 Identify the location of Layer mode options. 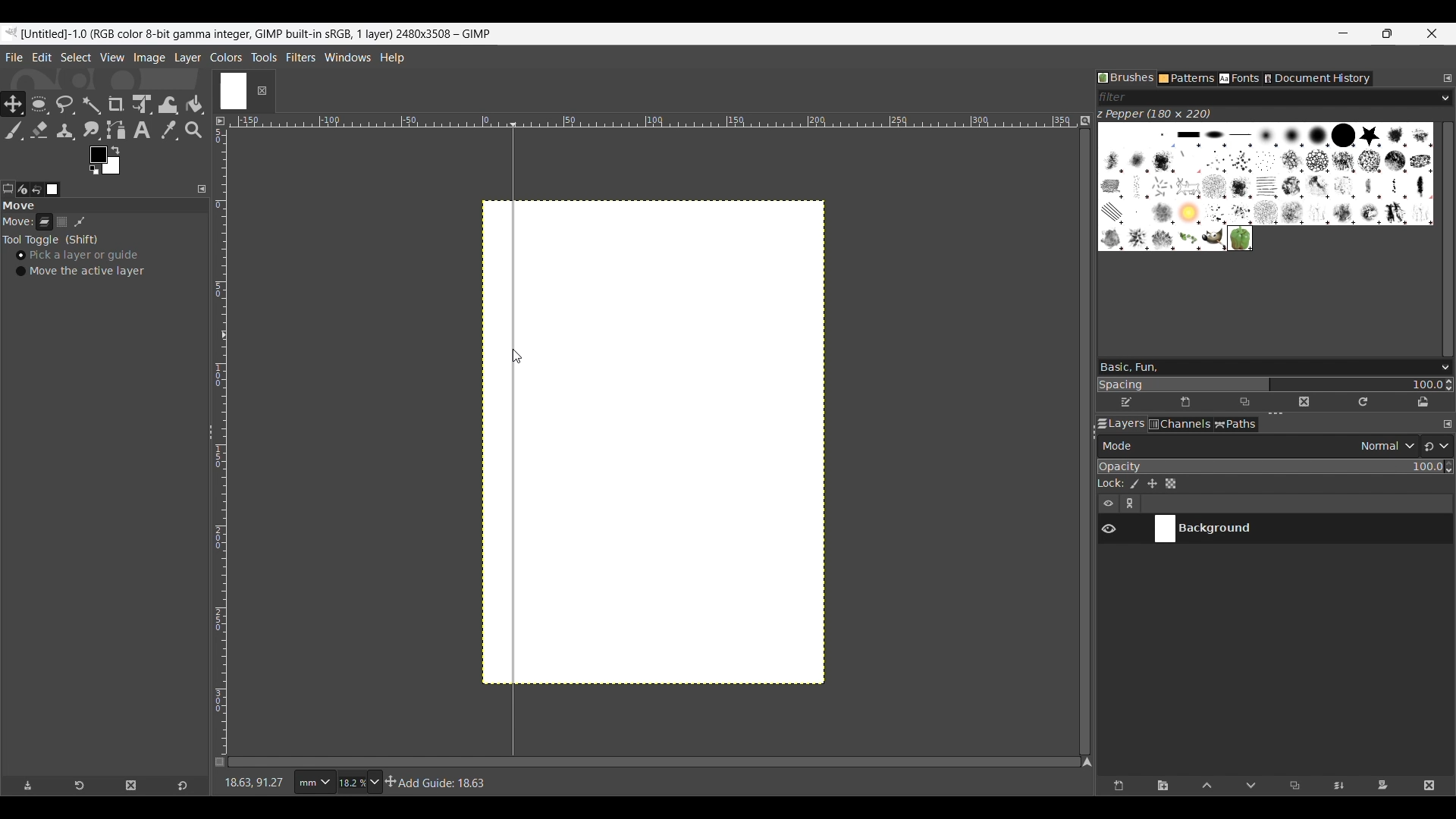
(1257, 446).